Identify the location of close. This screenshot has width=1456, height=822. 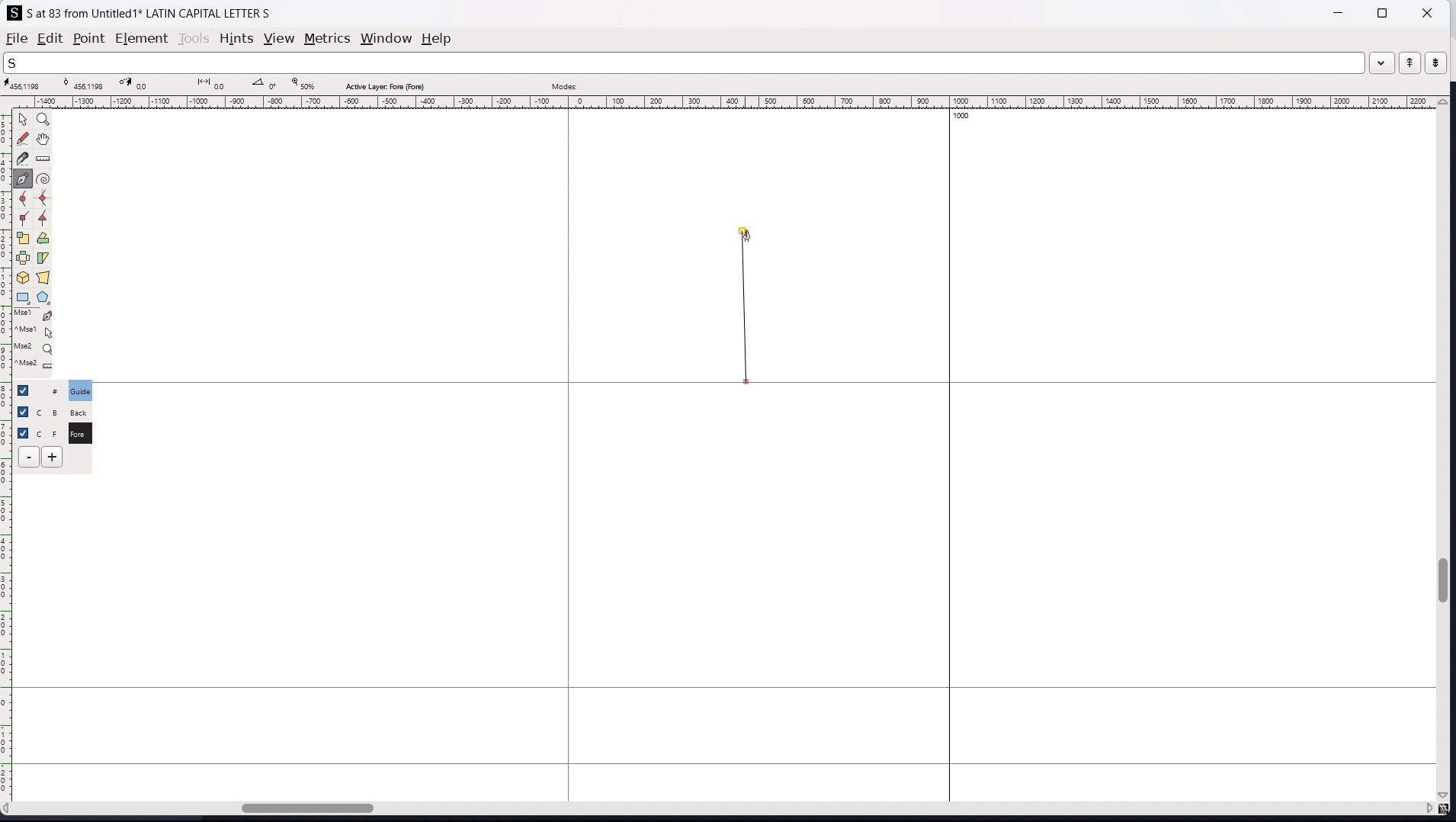
(1426, 12).